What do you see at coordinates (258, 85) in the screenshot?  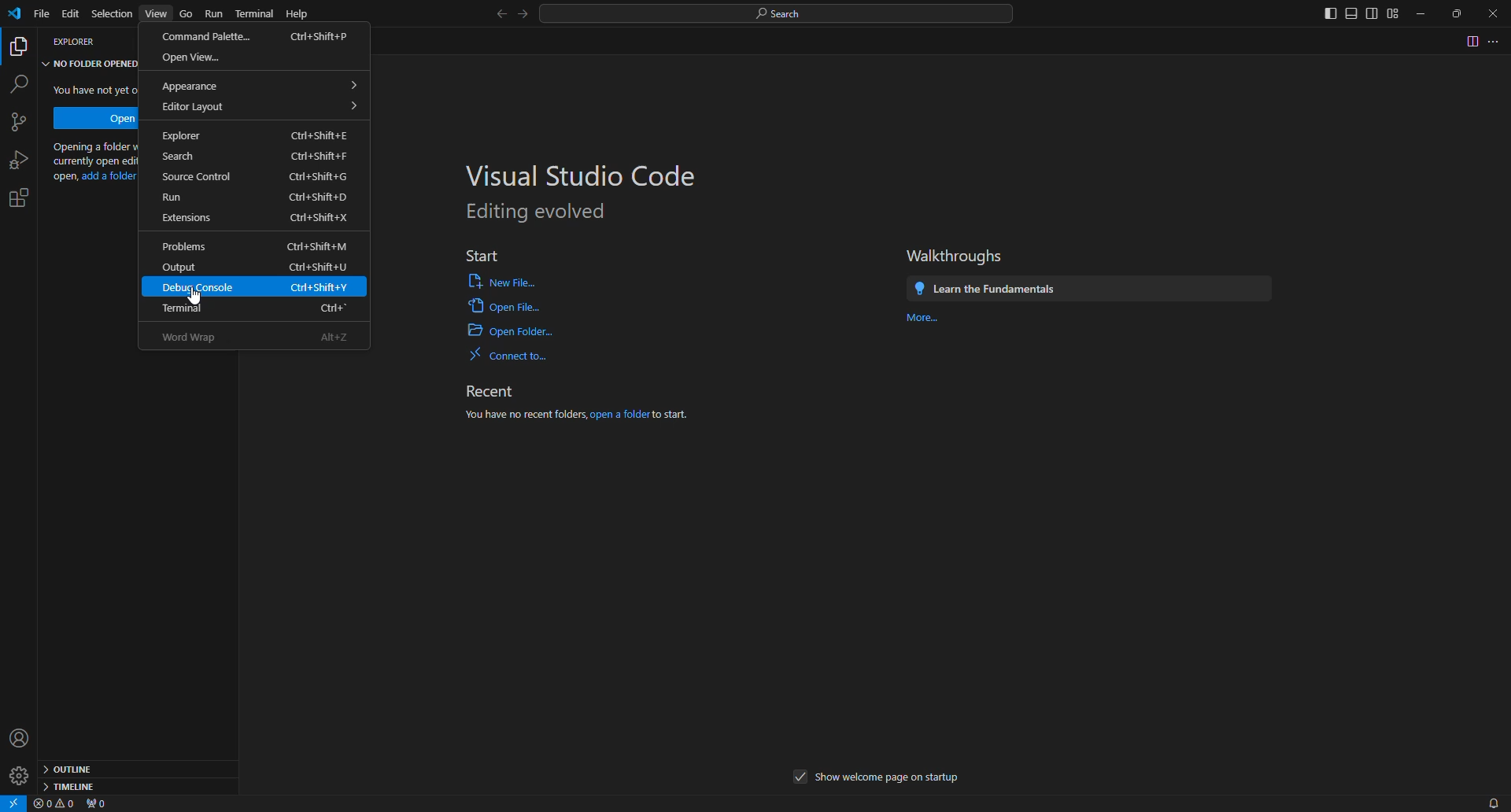 I see `Apperance` at bounding box center [258, 85].